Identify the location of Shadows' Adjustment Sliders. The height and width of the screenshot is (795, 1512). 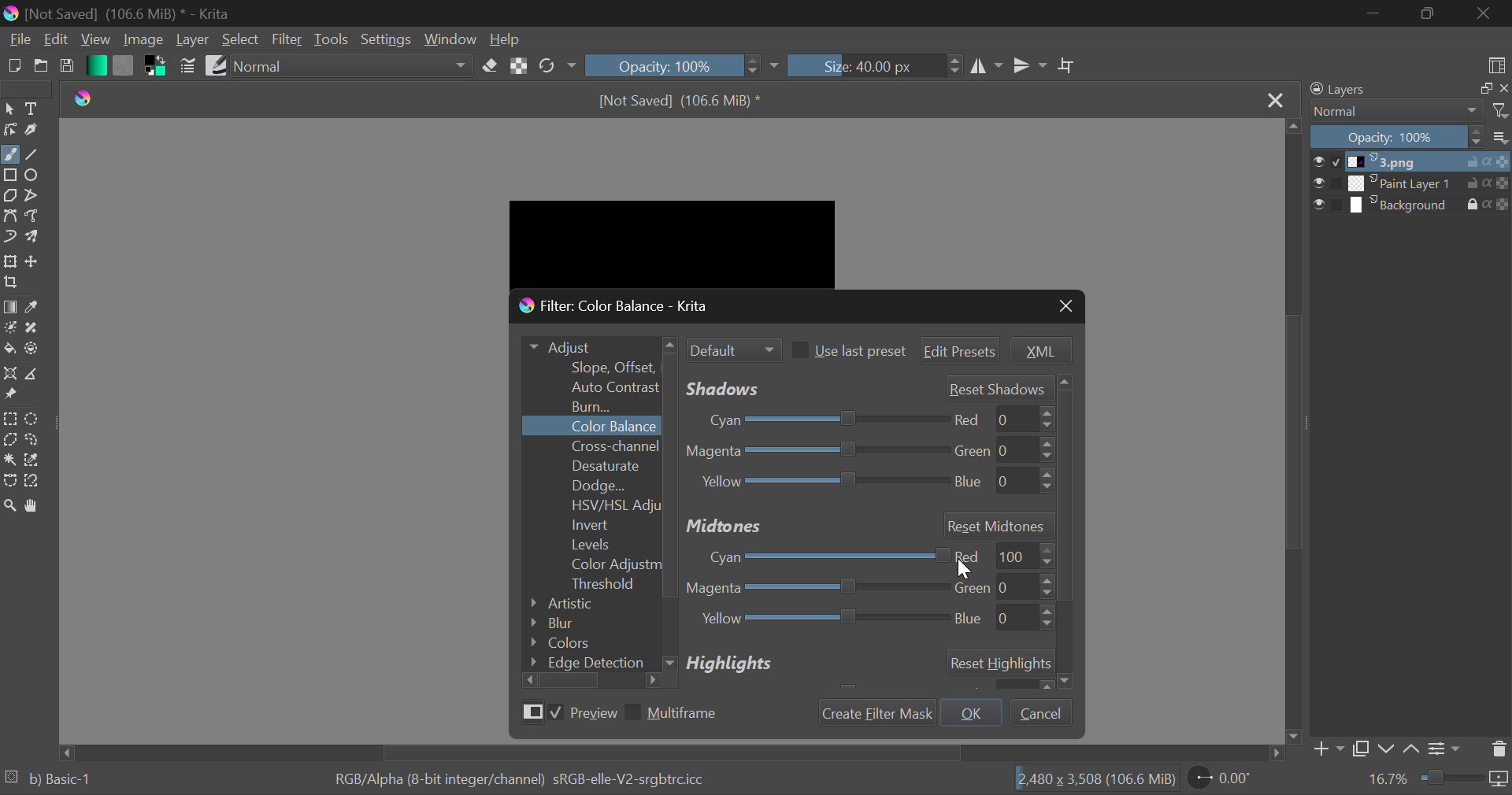
(863, 388).